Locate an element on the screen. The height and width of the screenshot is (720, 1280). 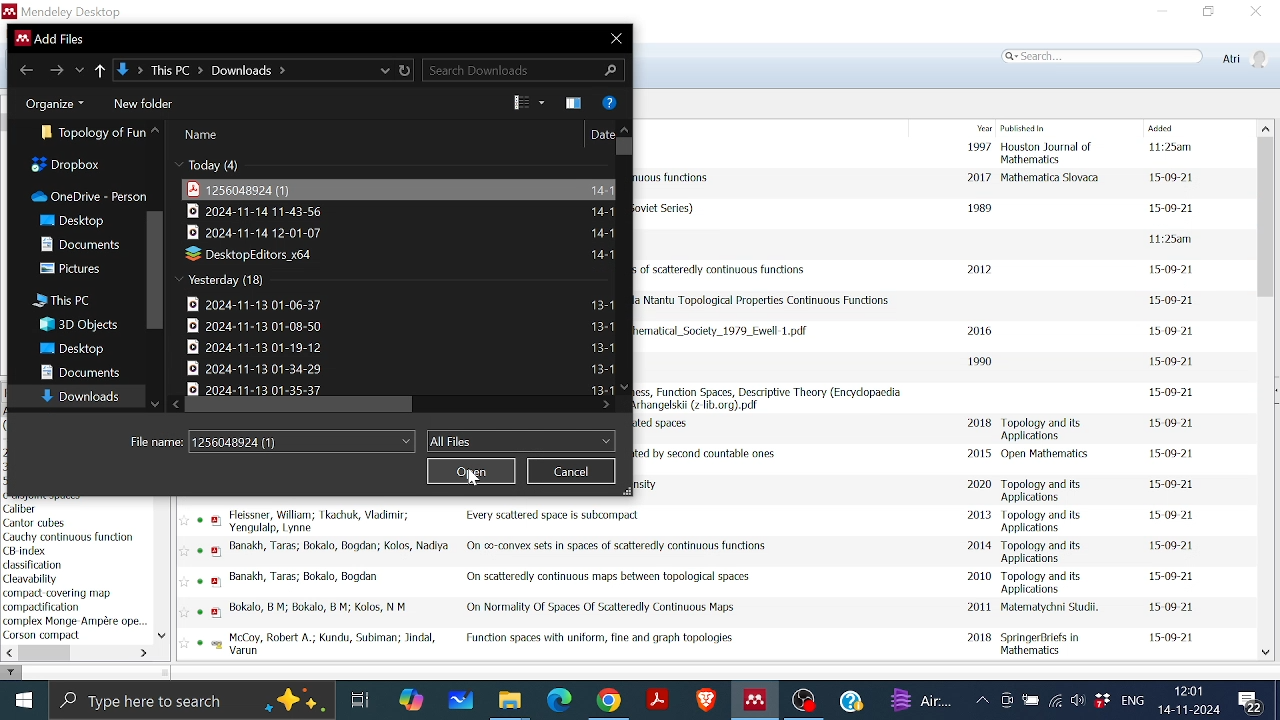
Minimize is located at coordinates (1162, 11).